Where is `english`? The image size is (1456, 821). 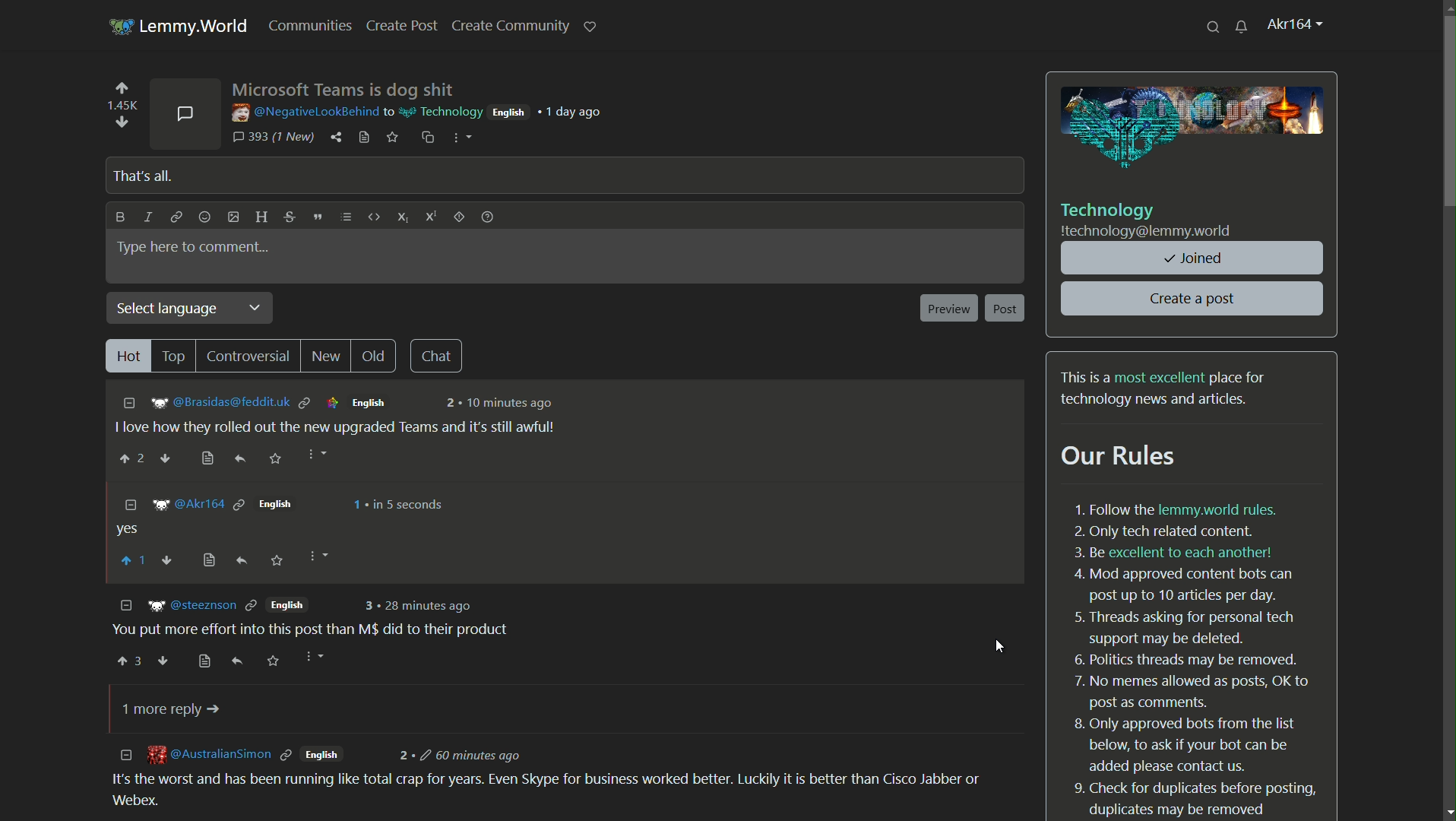 english is located at coordinates (280, 504).